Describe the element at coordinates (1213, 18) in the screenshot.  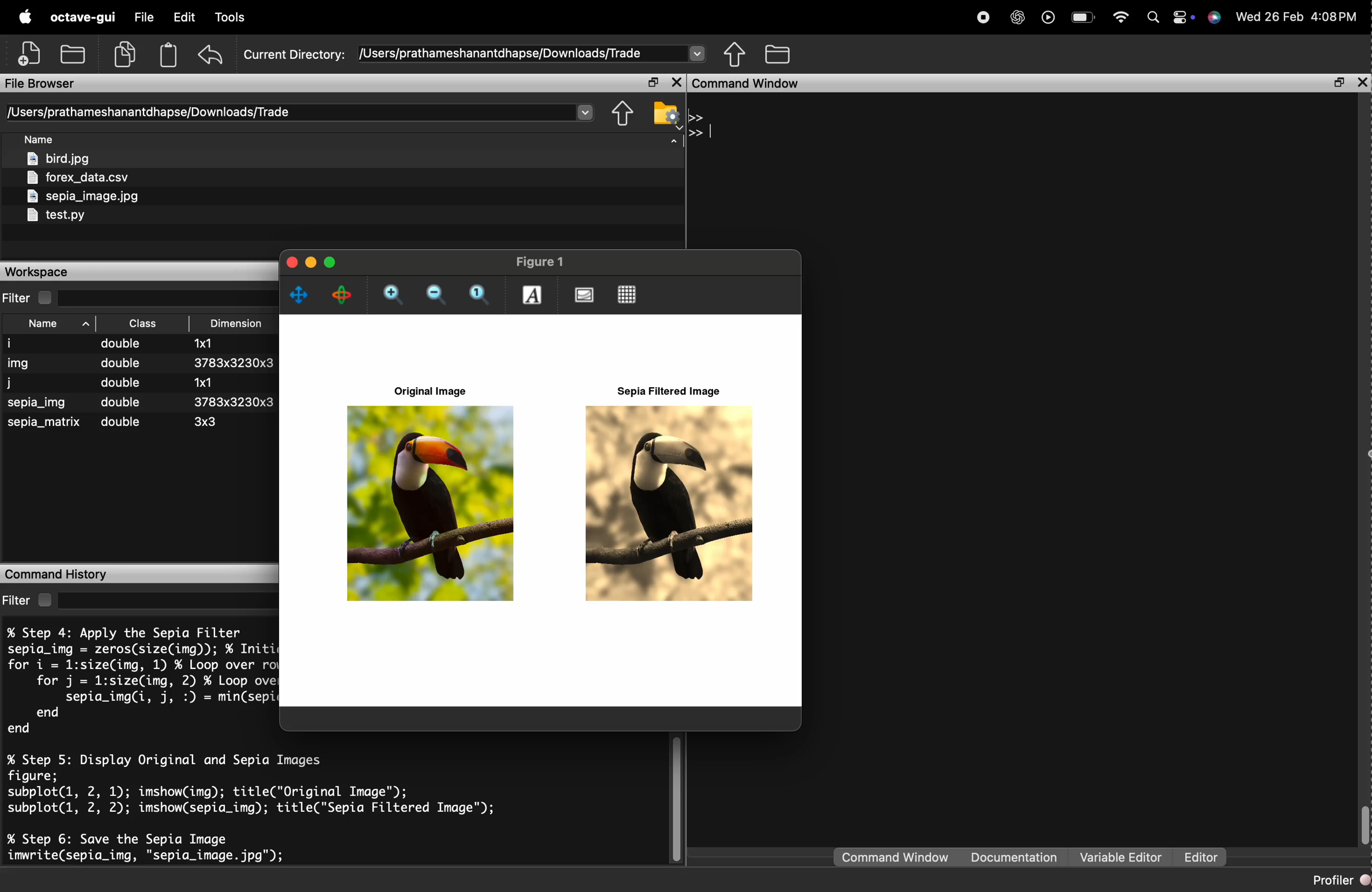
I see `support` at that location.